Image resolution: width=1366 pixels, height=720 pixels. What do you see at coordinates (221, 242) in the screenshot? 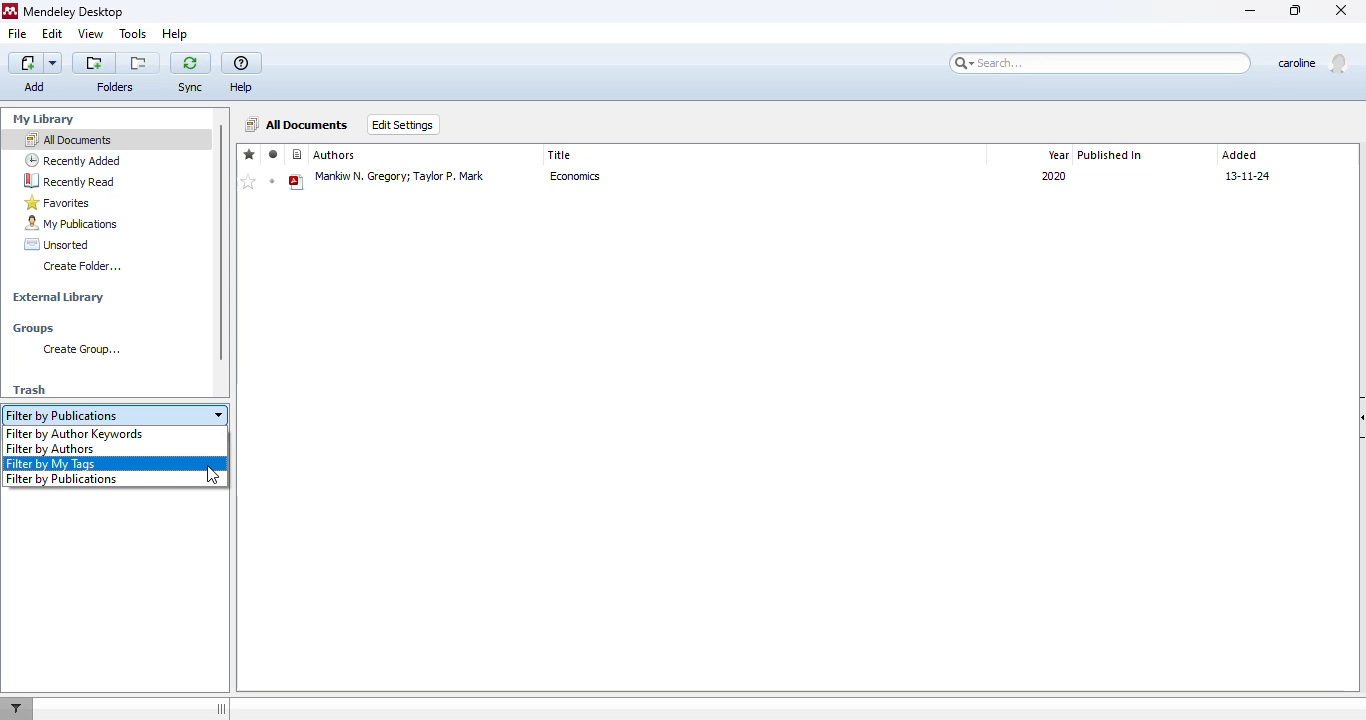
I see `vertical scroll bar` at bounding box center [221, 242].